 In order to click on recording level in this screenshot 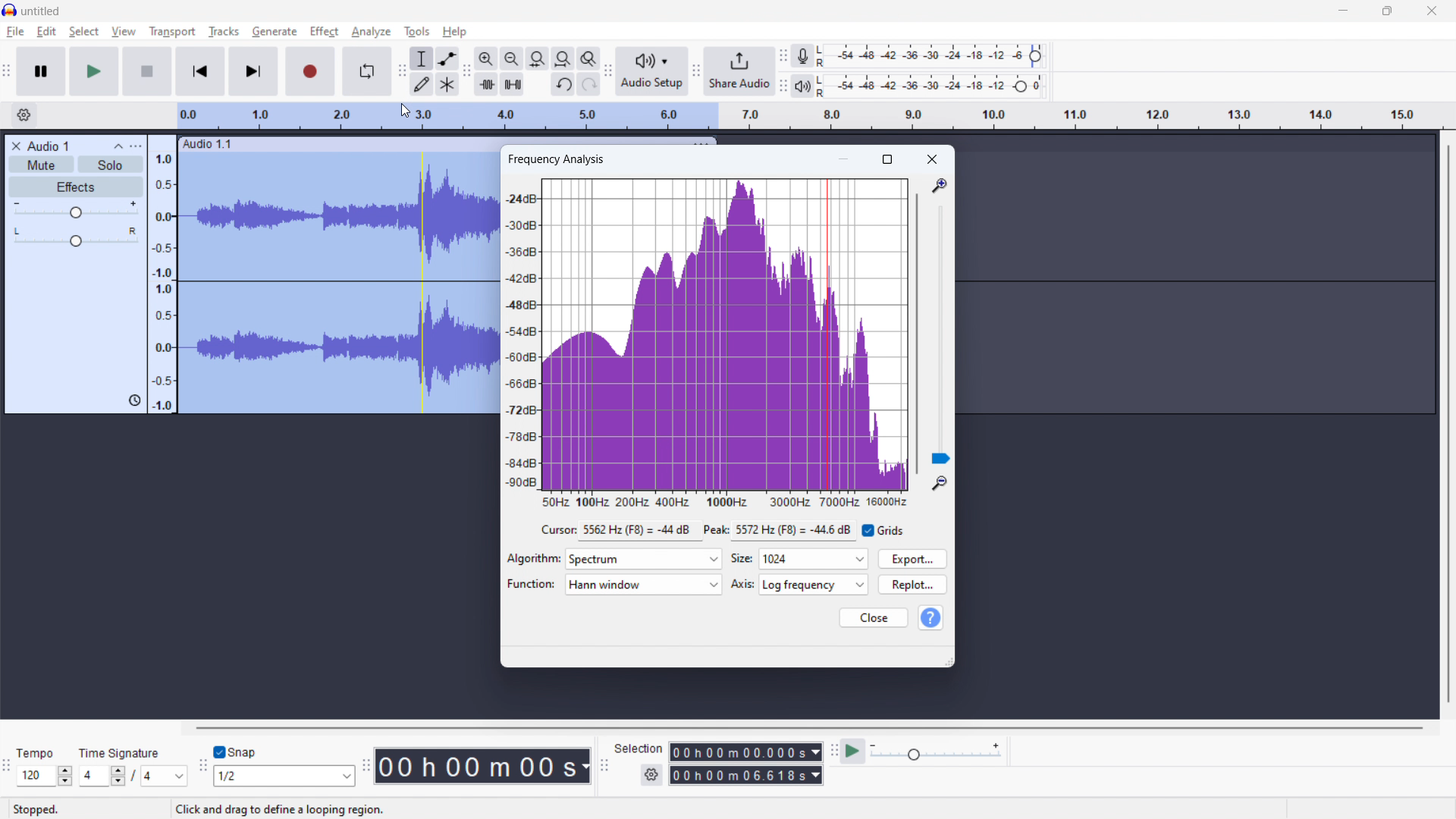, I will do `click(935, 57)`.